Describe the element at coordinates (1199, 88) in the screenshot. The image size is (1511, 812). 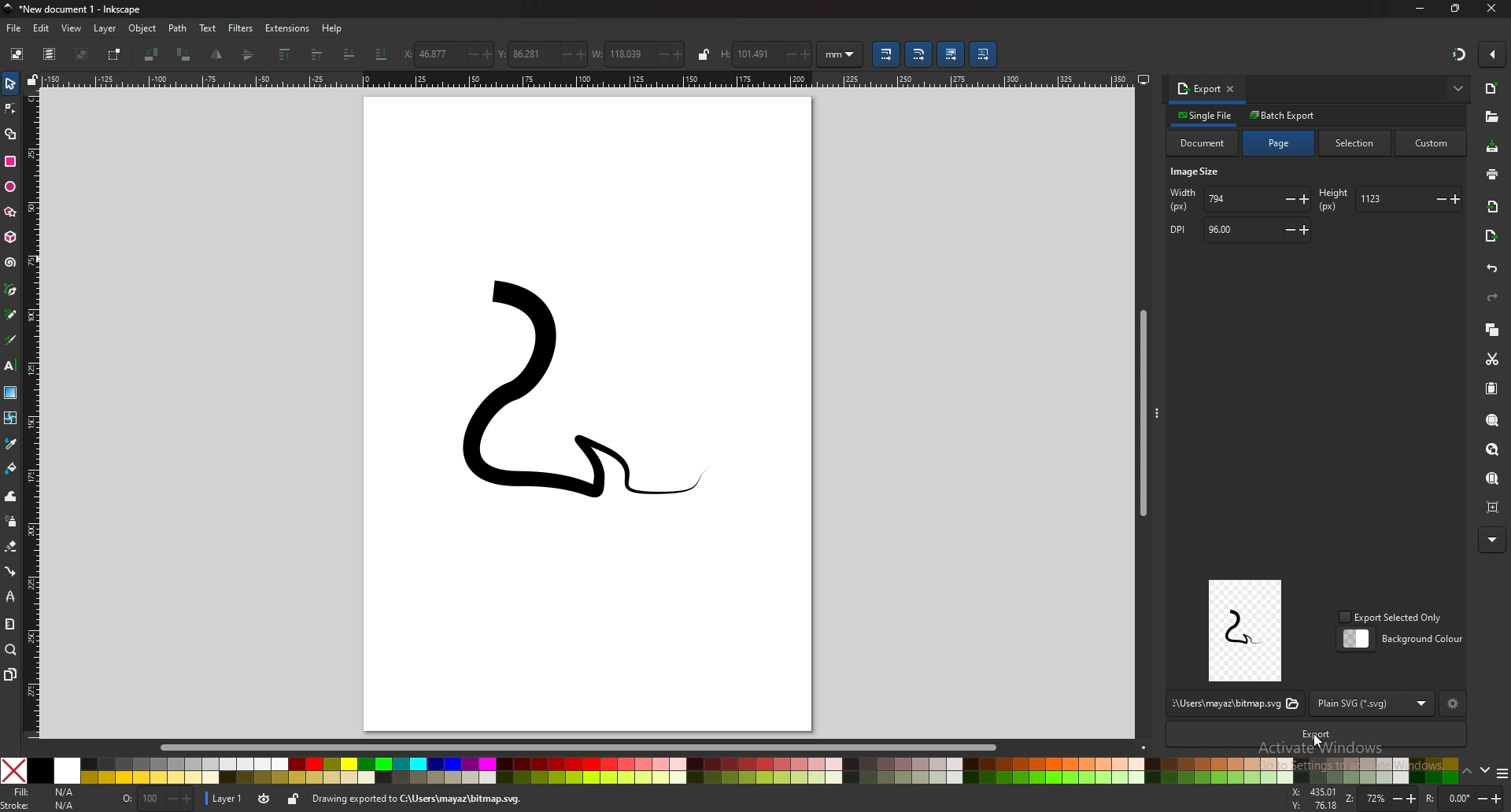
I see `export` at that location.